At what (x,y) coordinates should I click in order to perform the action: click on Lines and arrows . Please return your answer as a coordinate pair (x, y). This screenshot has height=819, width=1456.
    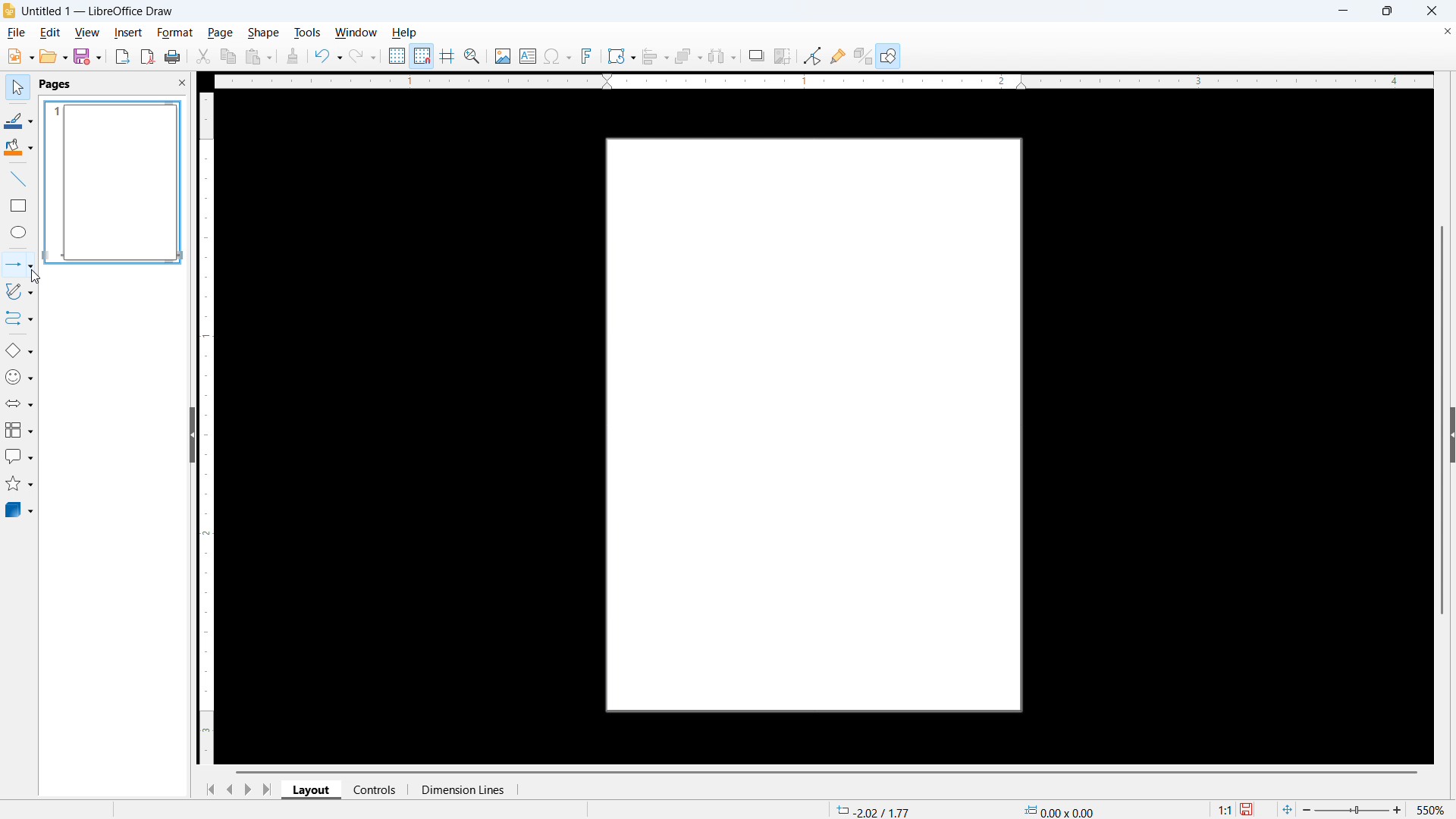
    Looking at the image, I should click on (19, 265).